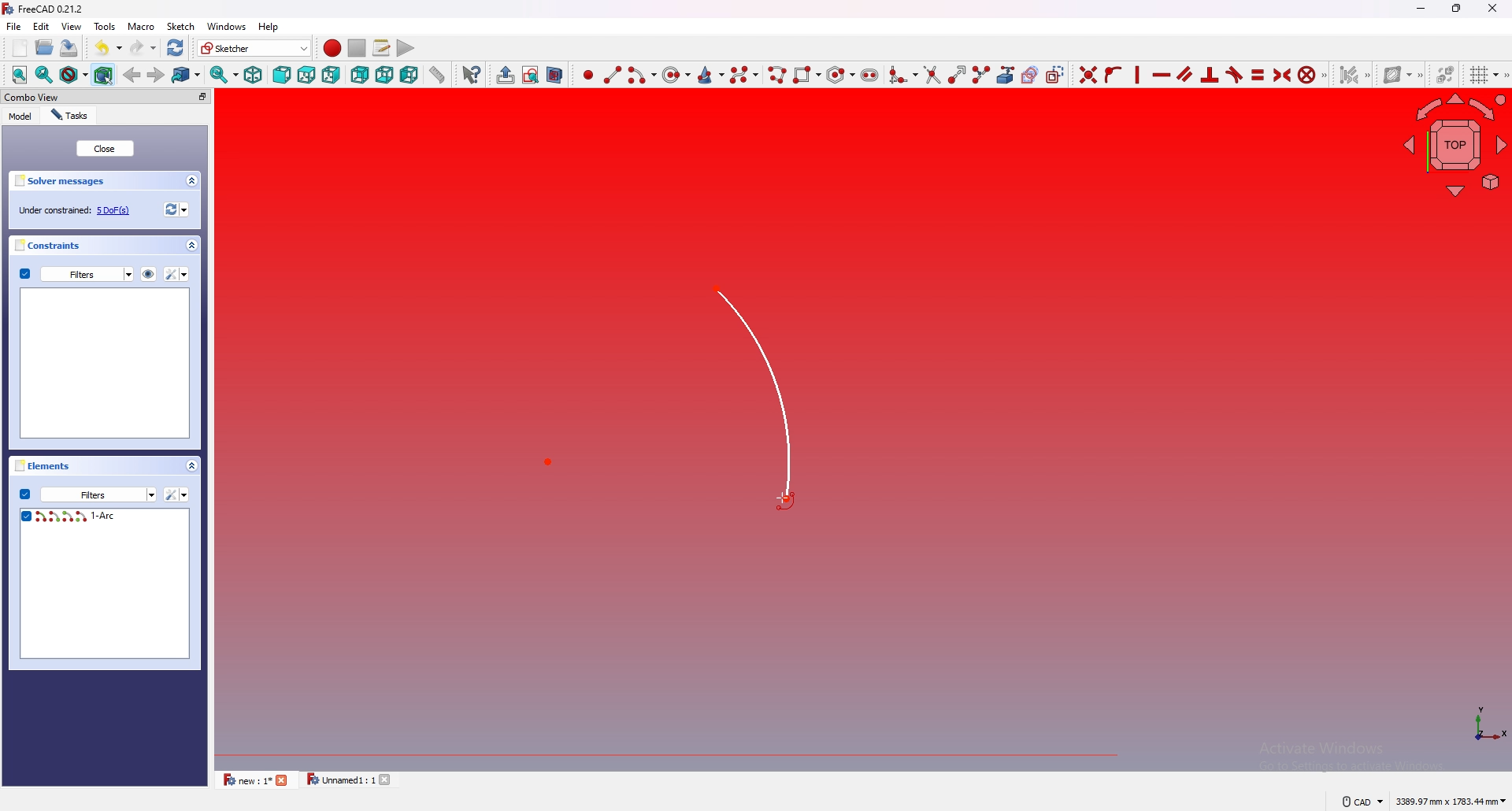 This screenshot has width=1512, height=811. What do you see at coordinates (332, 49) in the screenshot?
I see `record macro` at bounding box center [332, 49].